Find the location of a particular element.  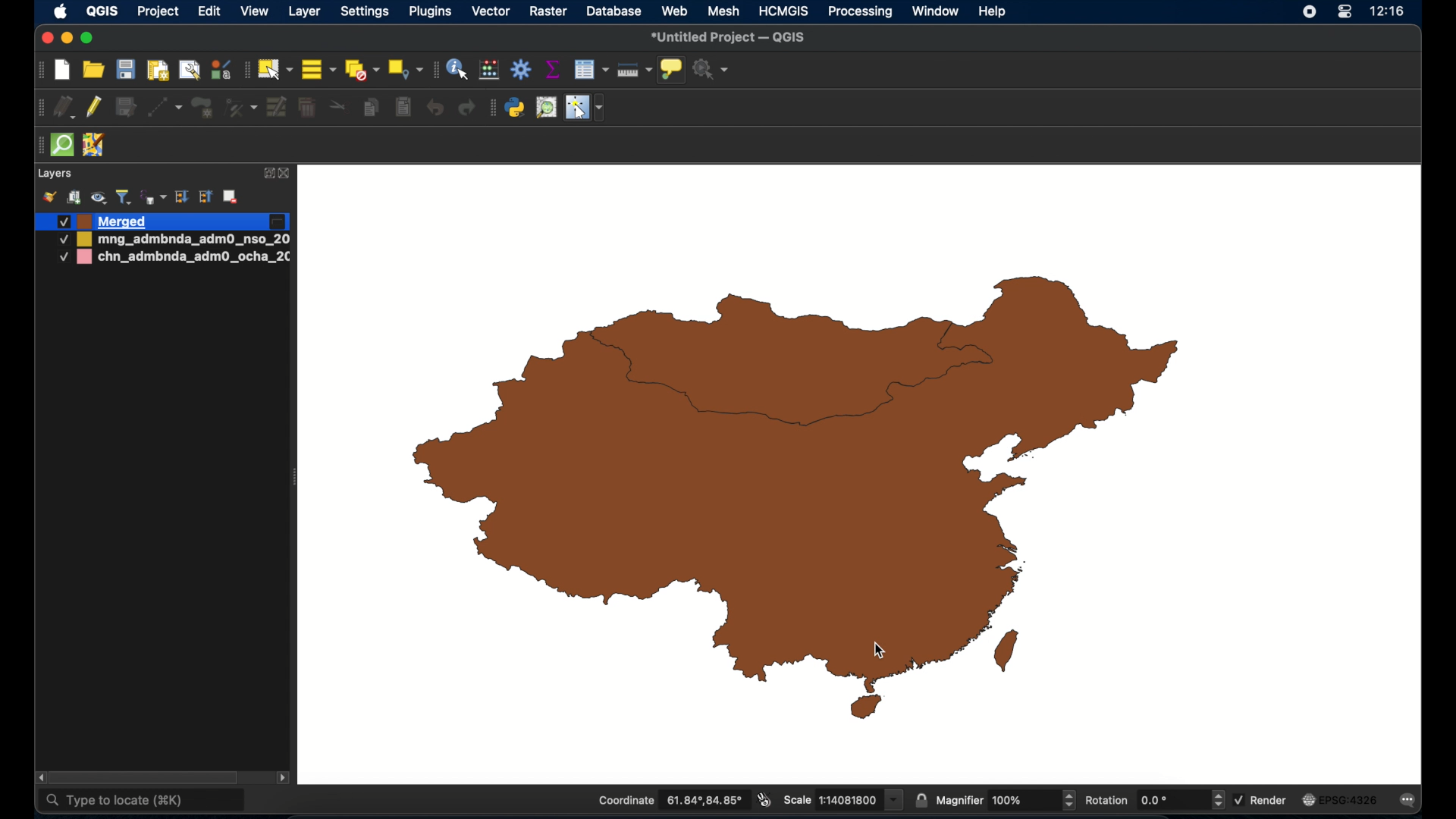

digitizing toolbar is located at coordinates (42, 110).